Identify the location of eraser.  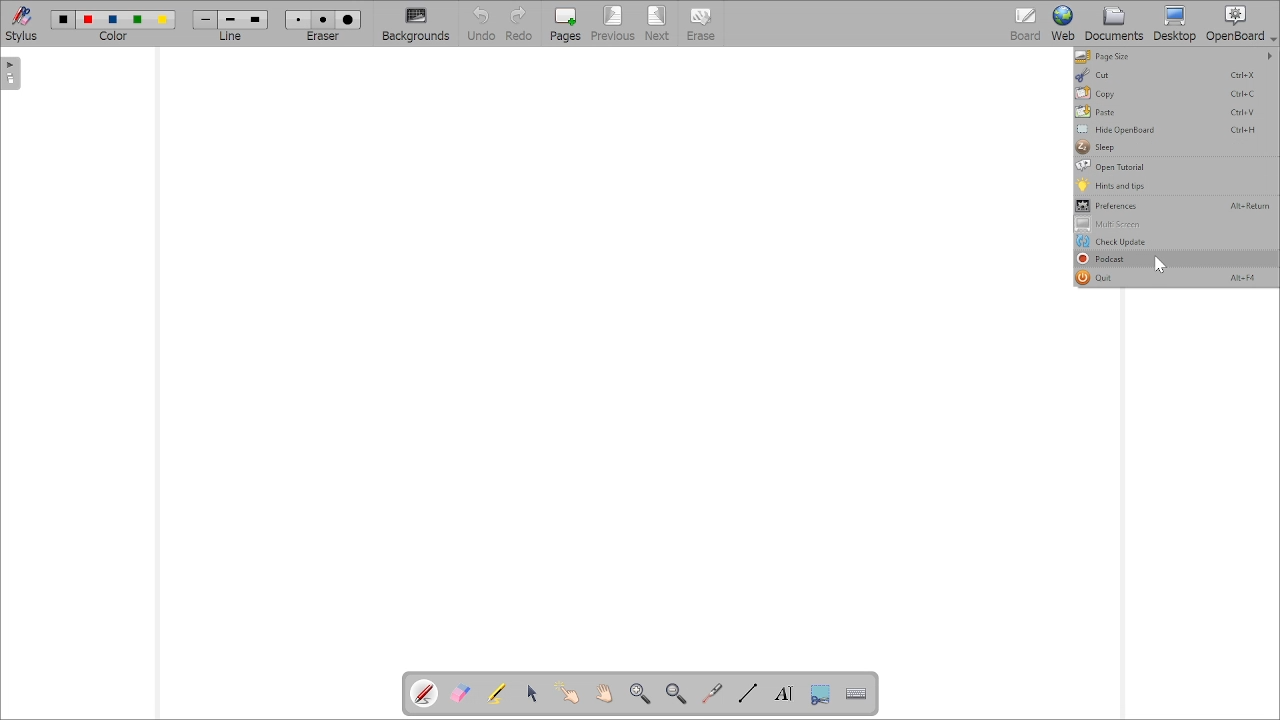
(323, 38).